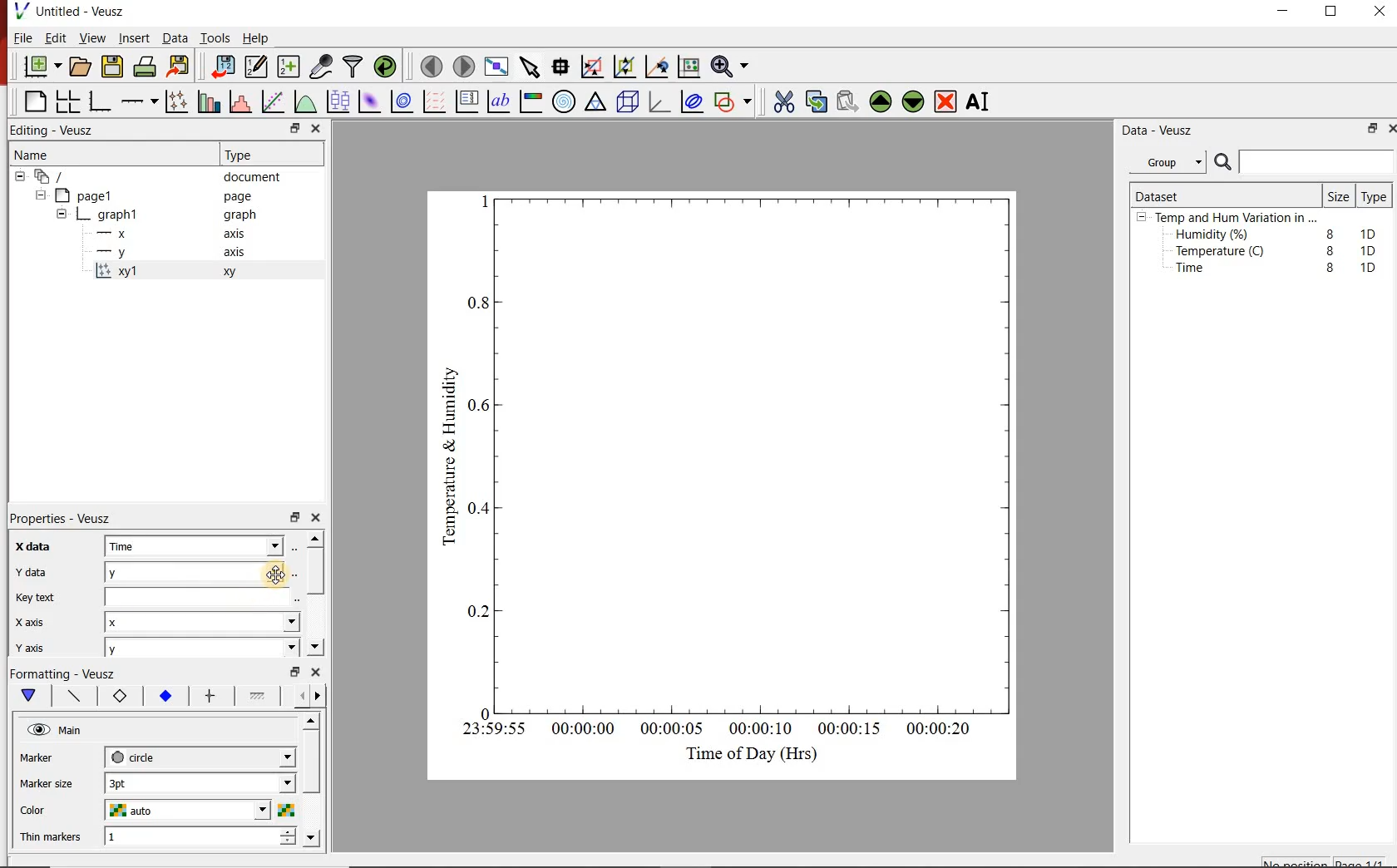  I want to click on page, so click(241, 197).